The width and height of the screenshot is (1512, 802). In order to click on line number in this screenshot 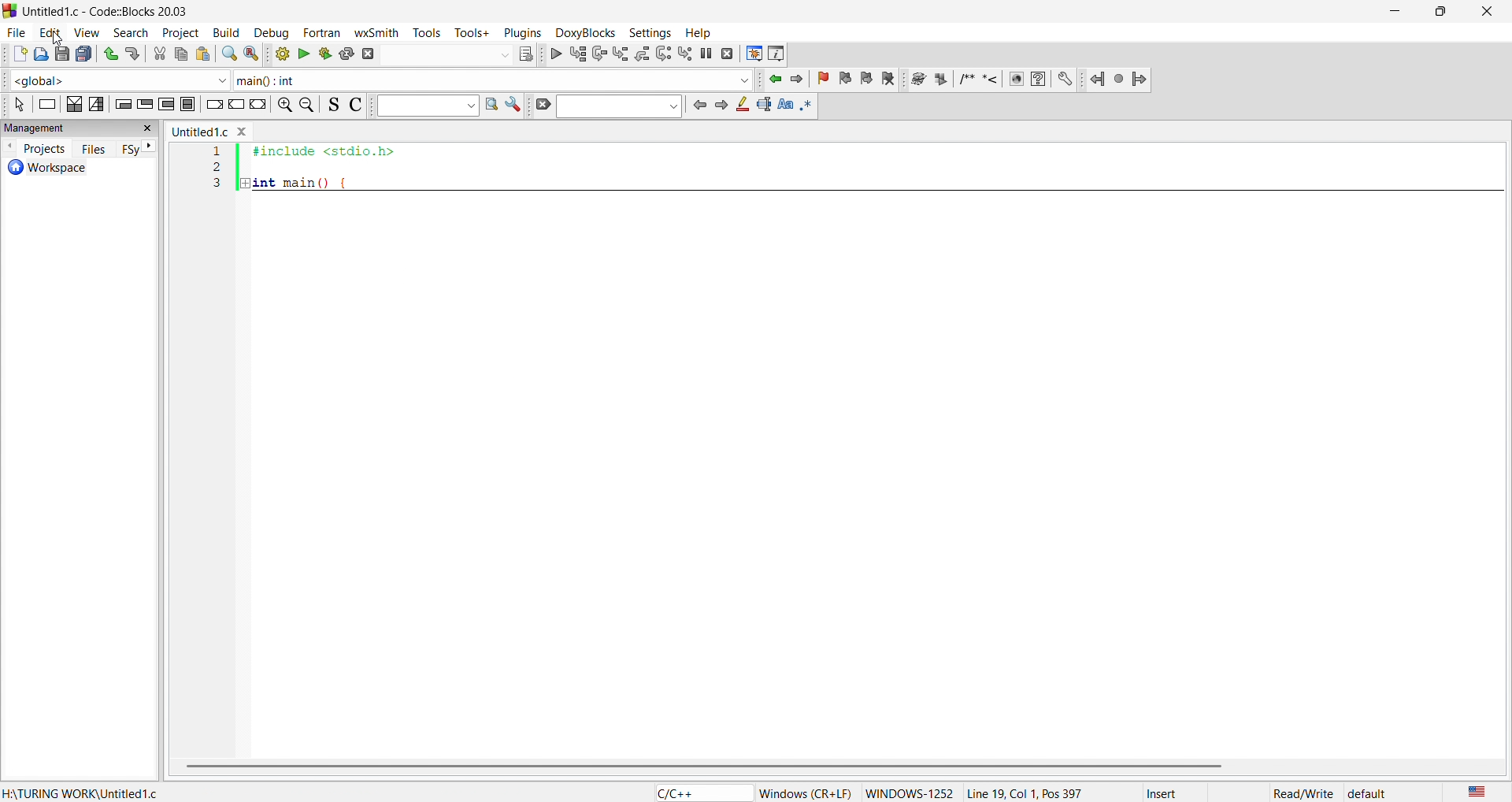, I will do `click(220, 350)`.